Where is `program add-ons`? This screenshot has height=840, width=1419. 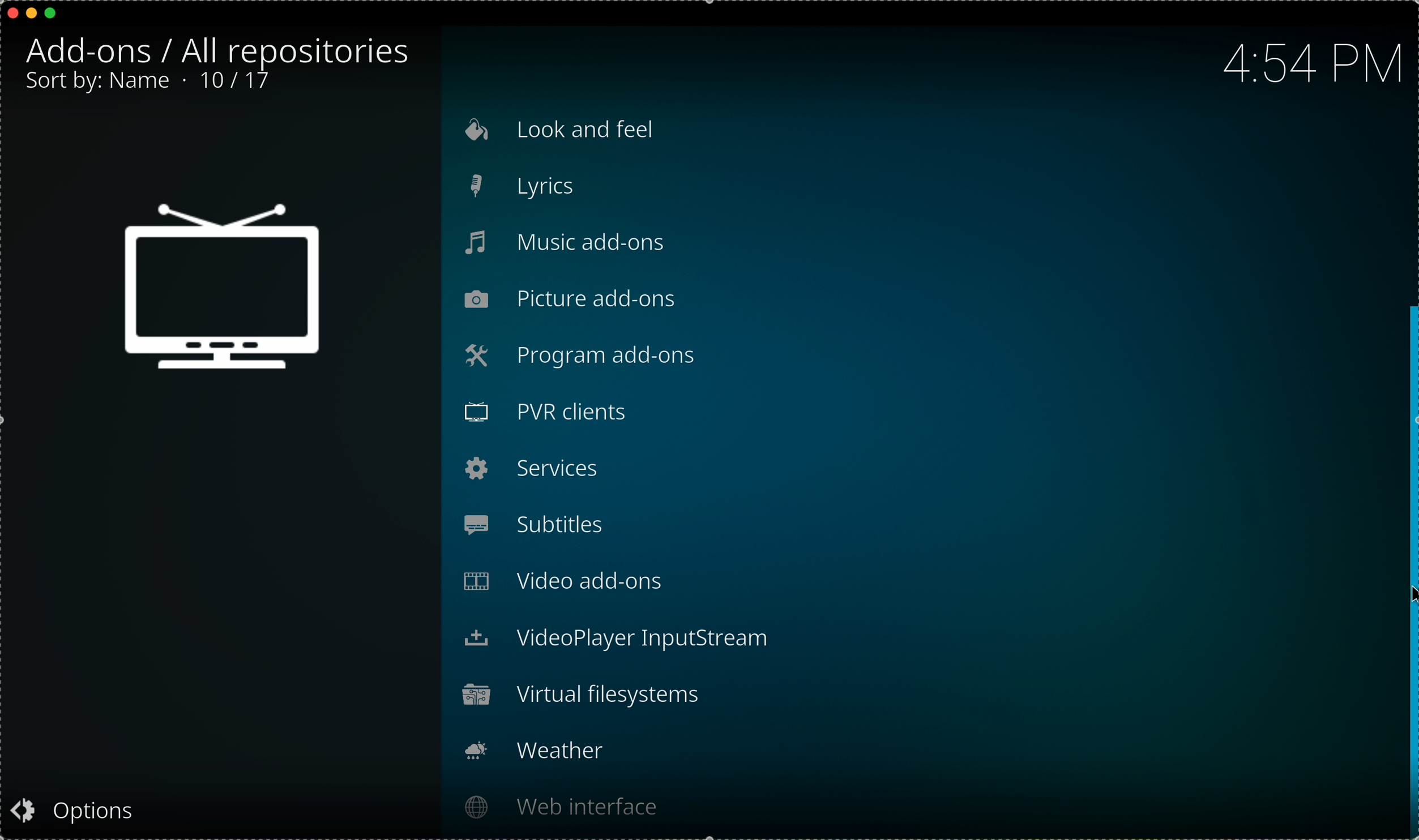
program add-ons is located at coordinates (608, 355).